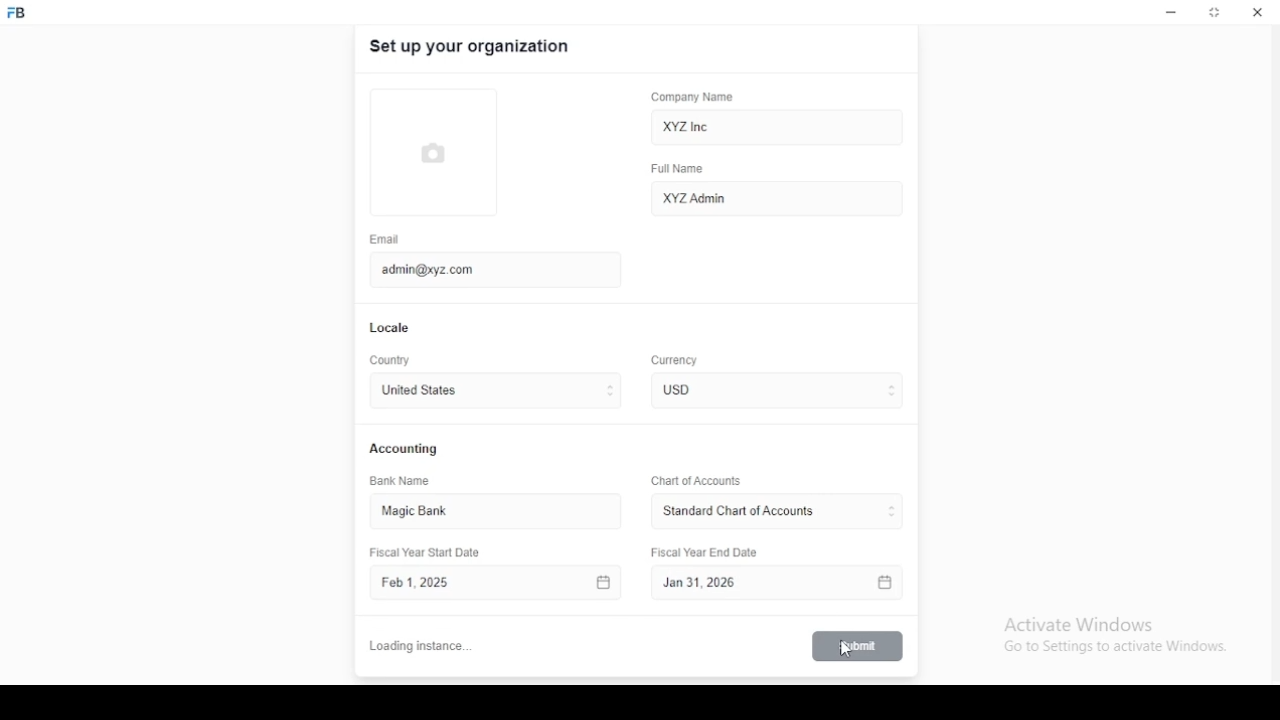 This screenshot has width=1280, height=720. I want to click on magic bank, so click(423, 512).